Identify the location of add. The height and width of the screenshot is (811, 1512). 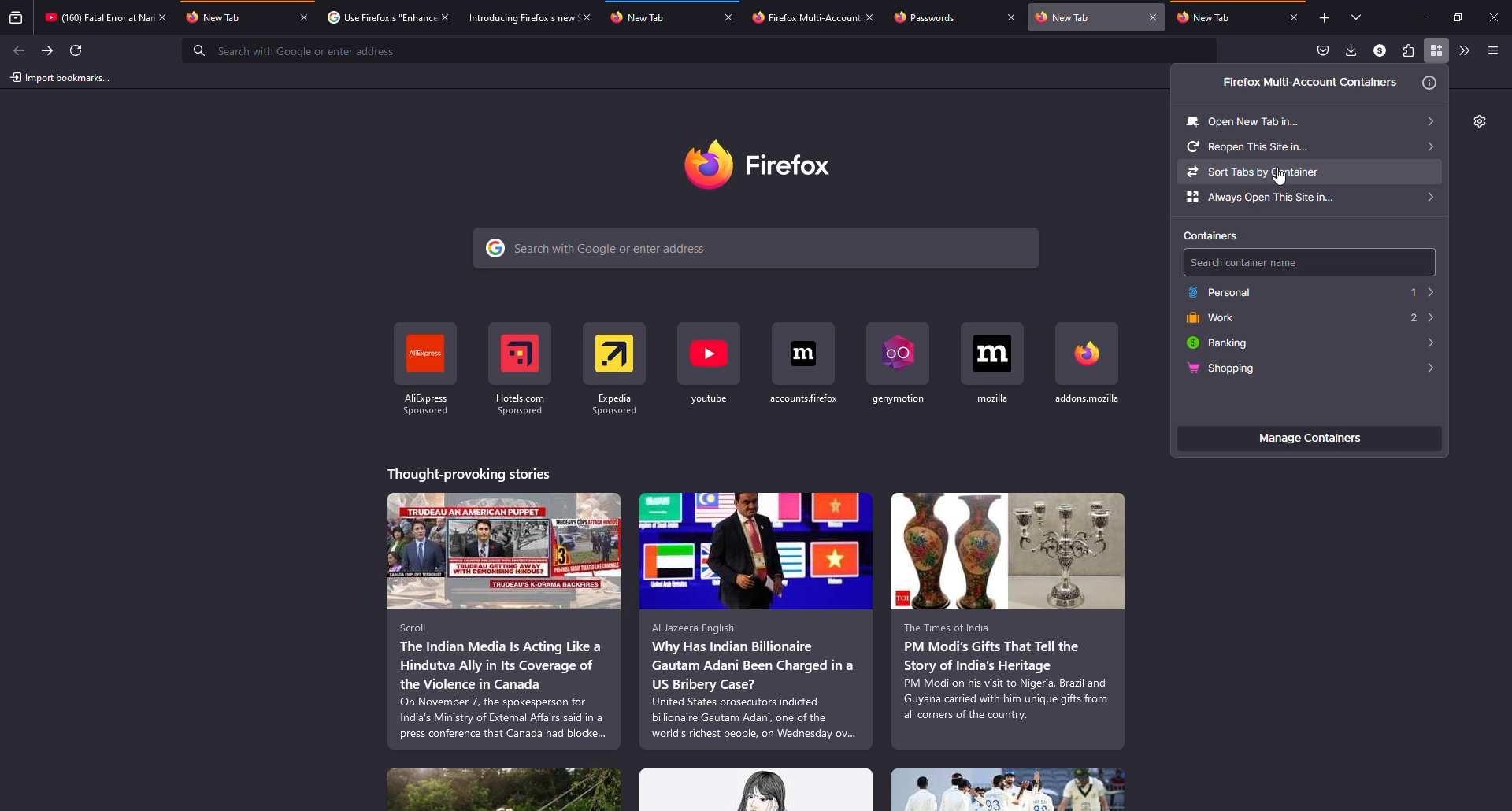
(1321, 19).